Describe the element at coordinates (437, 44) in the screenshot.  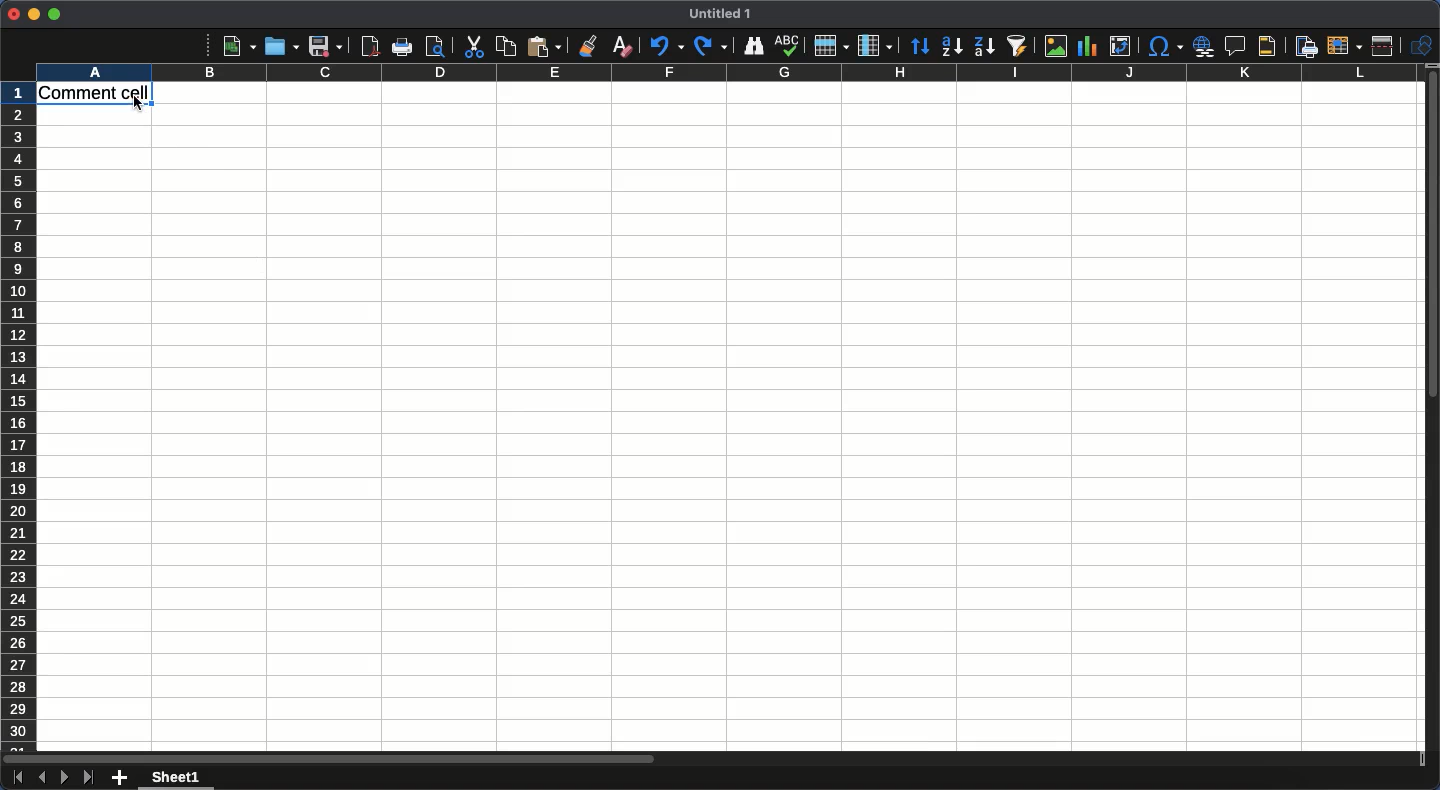
I see `print preview` at that location.